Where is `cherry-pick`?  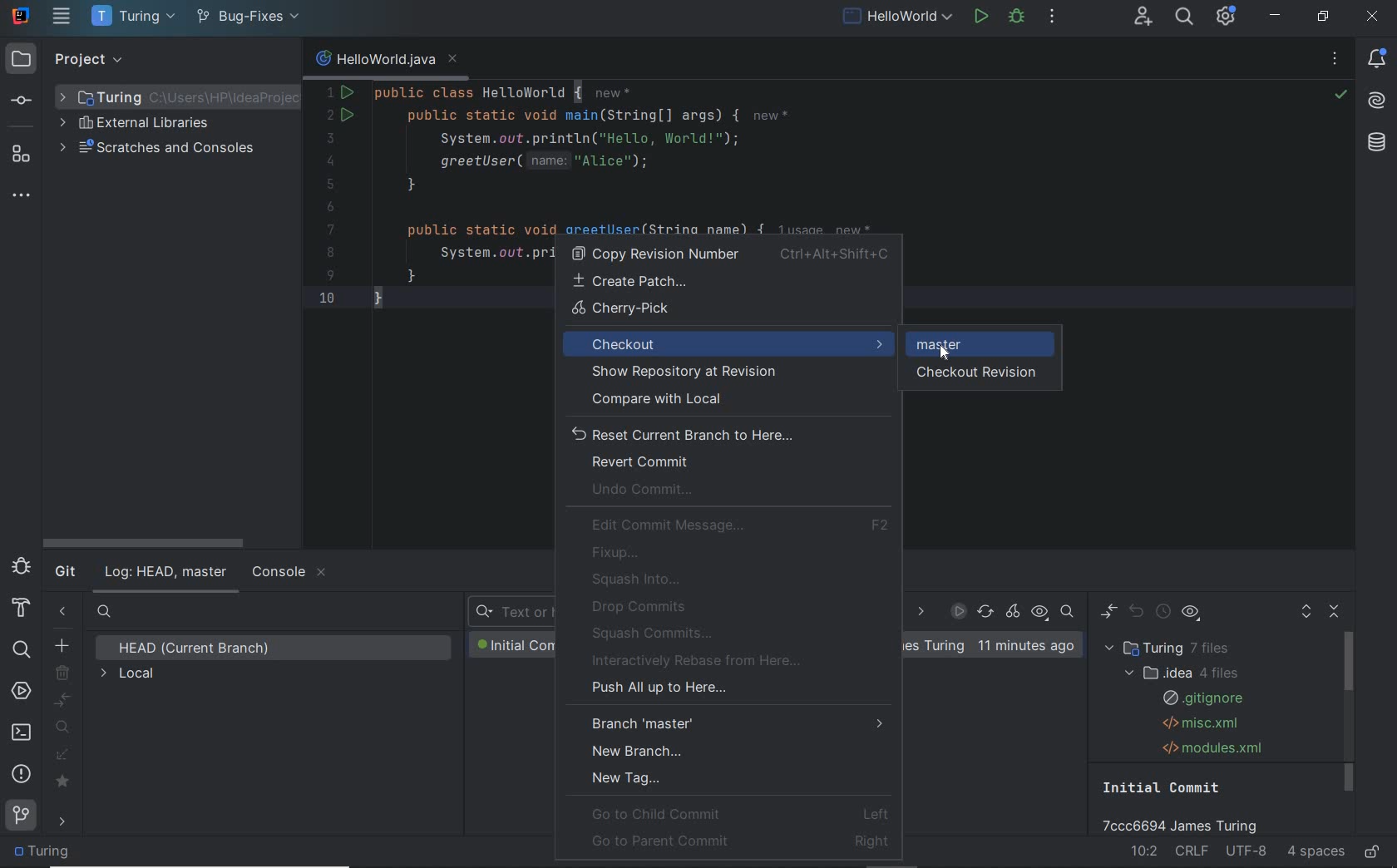
cherry-pick is located at coordinates (733, 311).